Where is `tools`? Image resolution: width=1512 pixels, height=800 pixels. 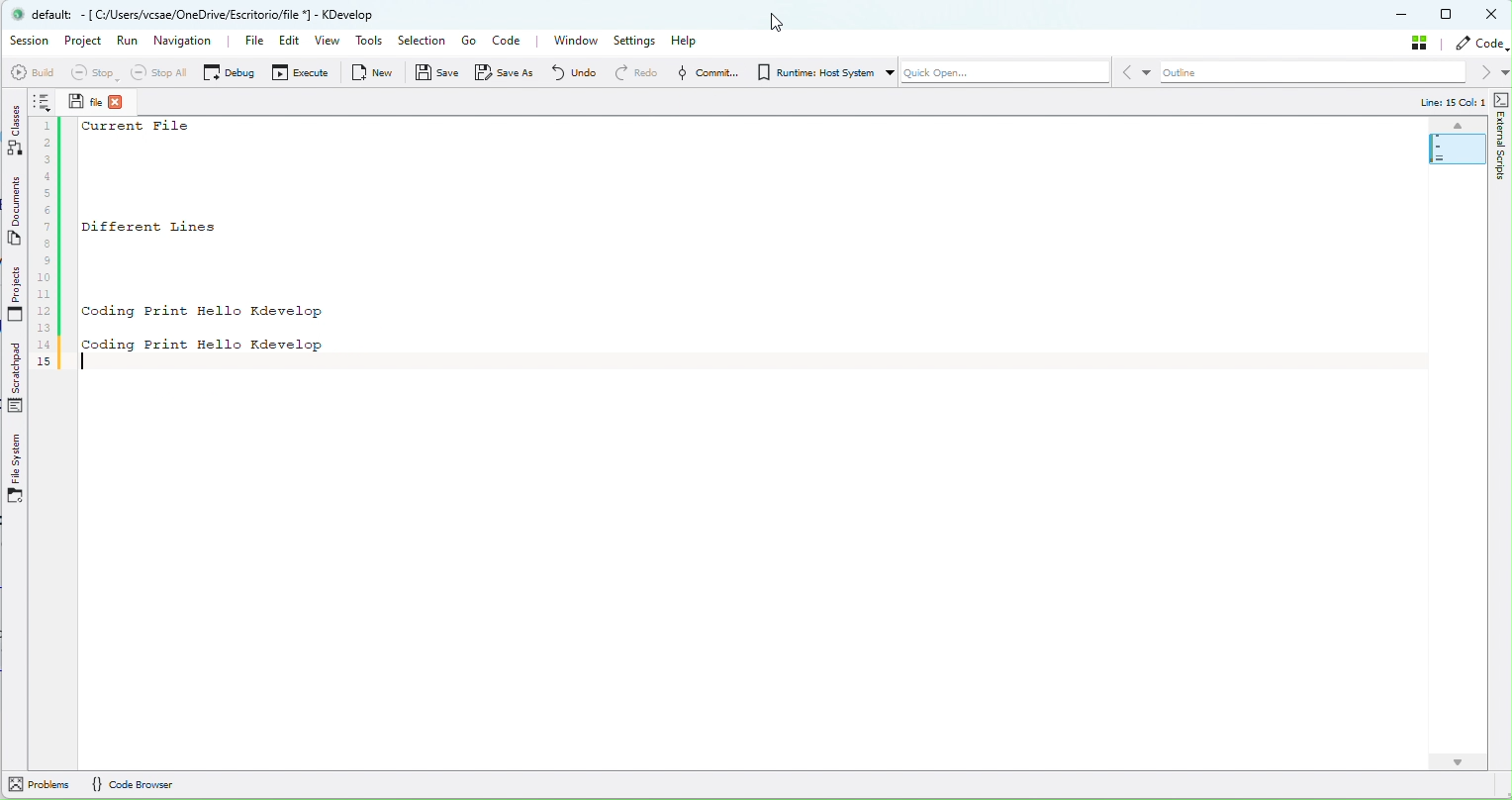 tools is located at coordinates (370, 43).